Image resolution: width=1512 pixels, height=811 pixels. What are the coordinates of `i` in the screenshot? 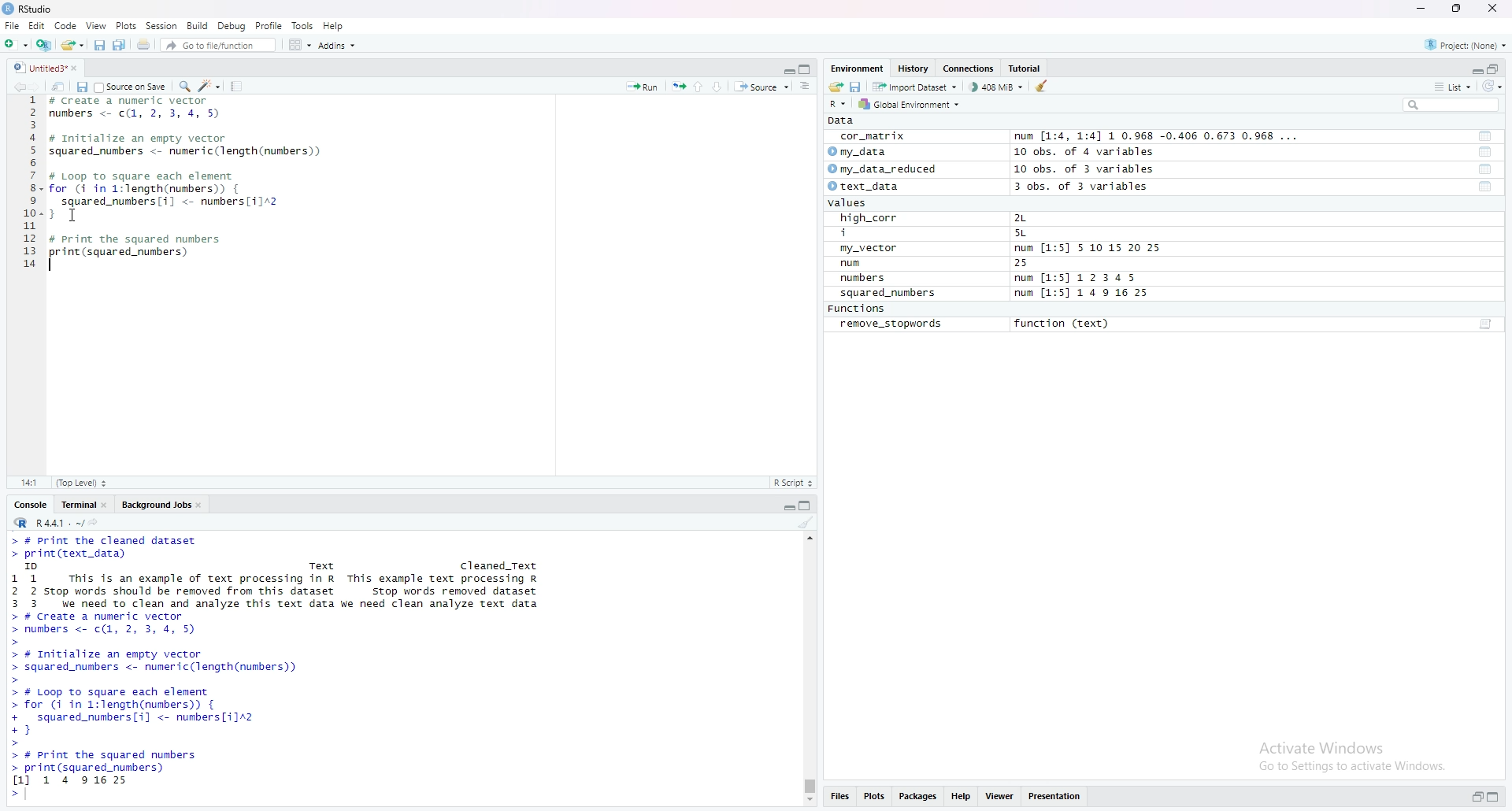 It's located at (872, 234).